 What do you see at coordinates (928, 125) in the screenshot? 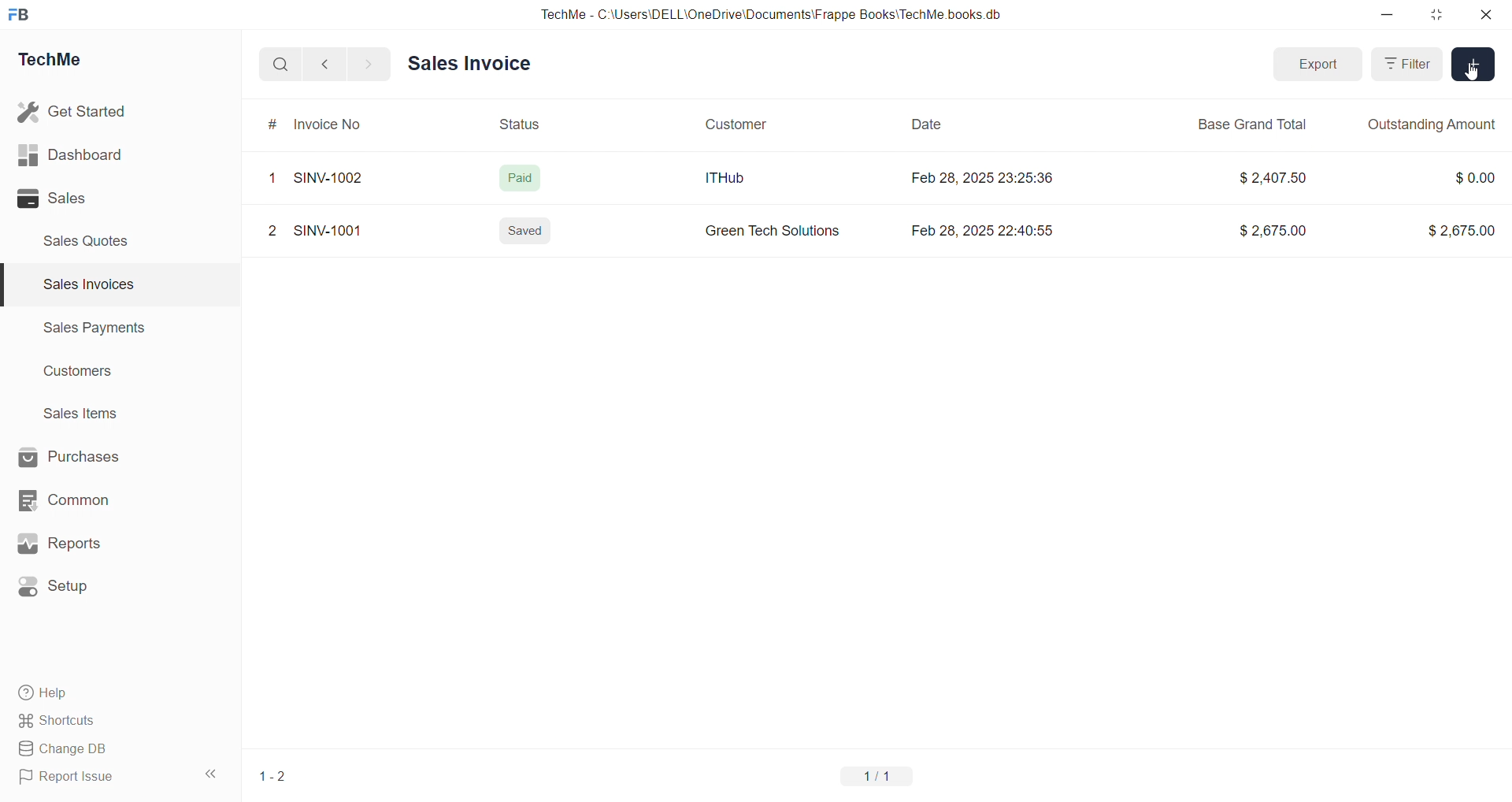
I see `Date` at bounding box center [928, 125].